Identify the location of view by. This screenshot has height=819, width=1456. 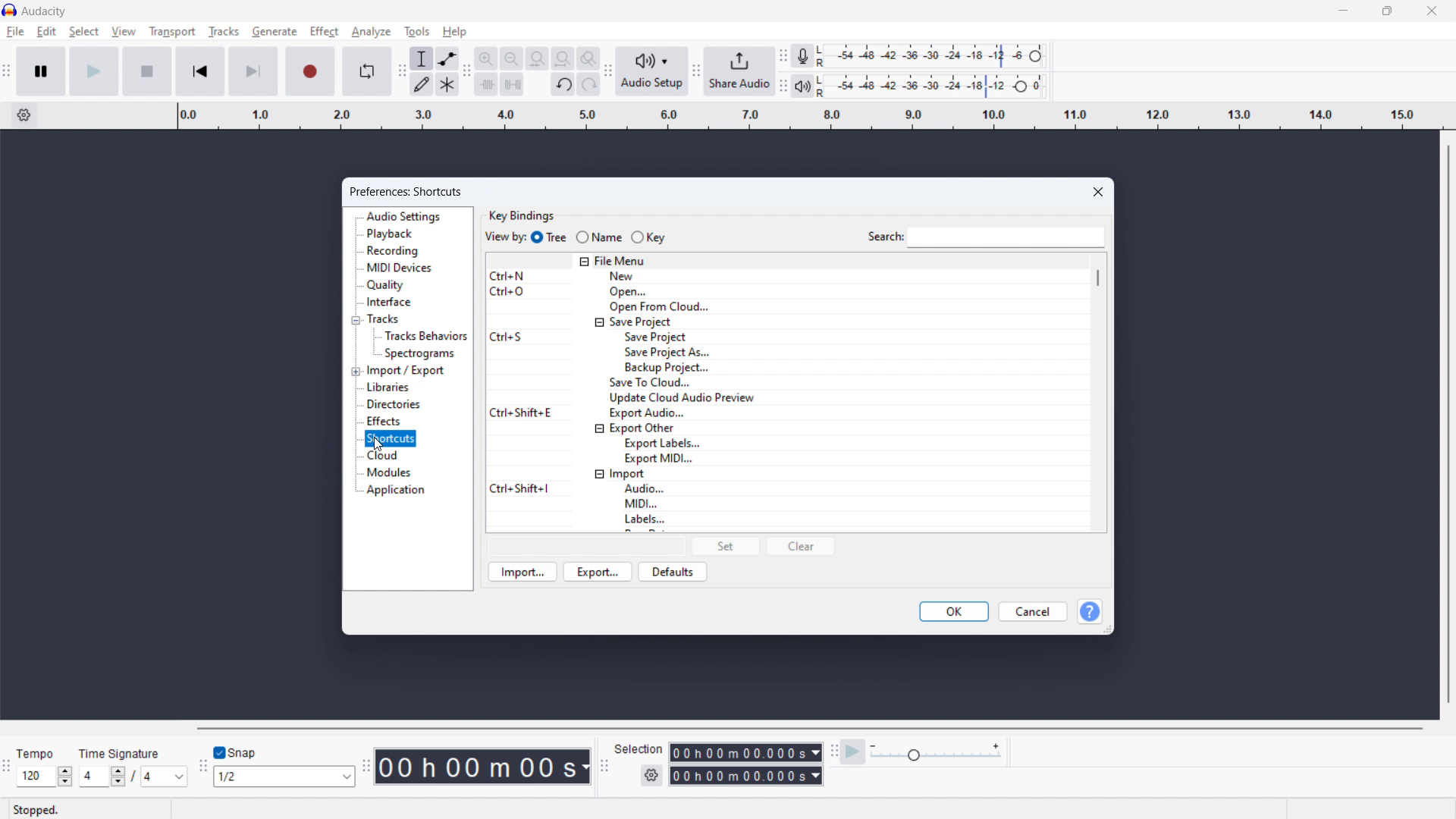
(504, 237).